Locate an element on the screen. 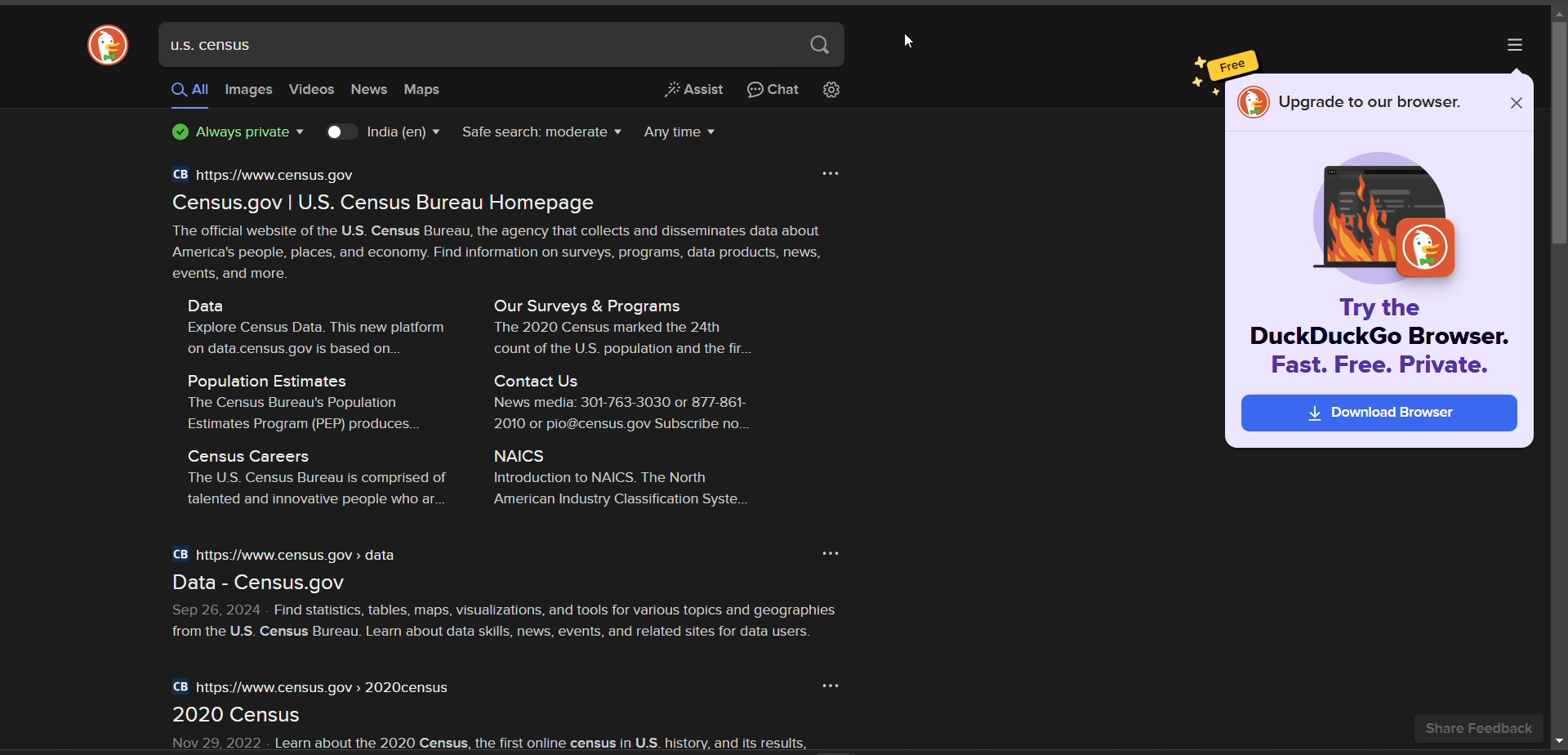 The width and height of the screenshot is (1568, 755). NAICS is located at coordinates (525, 453).